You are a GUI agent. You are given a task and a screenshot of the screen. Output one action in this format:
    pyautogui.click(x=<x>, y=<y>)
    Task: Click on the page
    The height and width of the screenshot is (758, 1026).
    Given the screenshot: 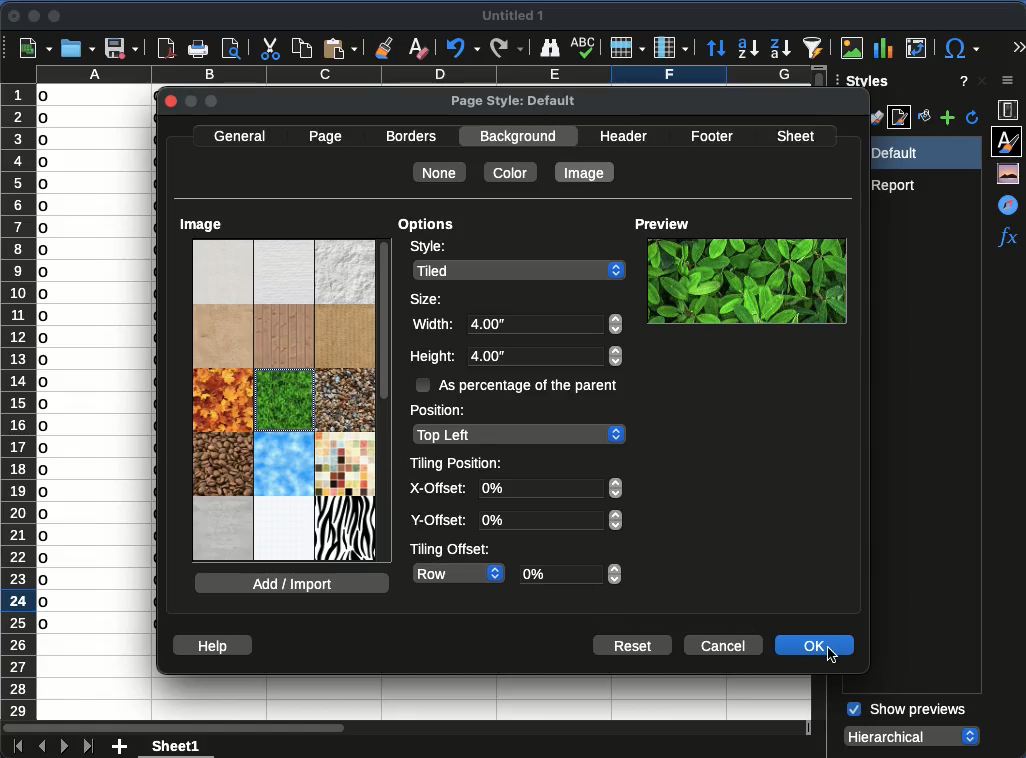 What is the action you would take?
    pyautogui.click(x=326, y=138)
    